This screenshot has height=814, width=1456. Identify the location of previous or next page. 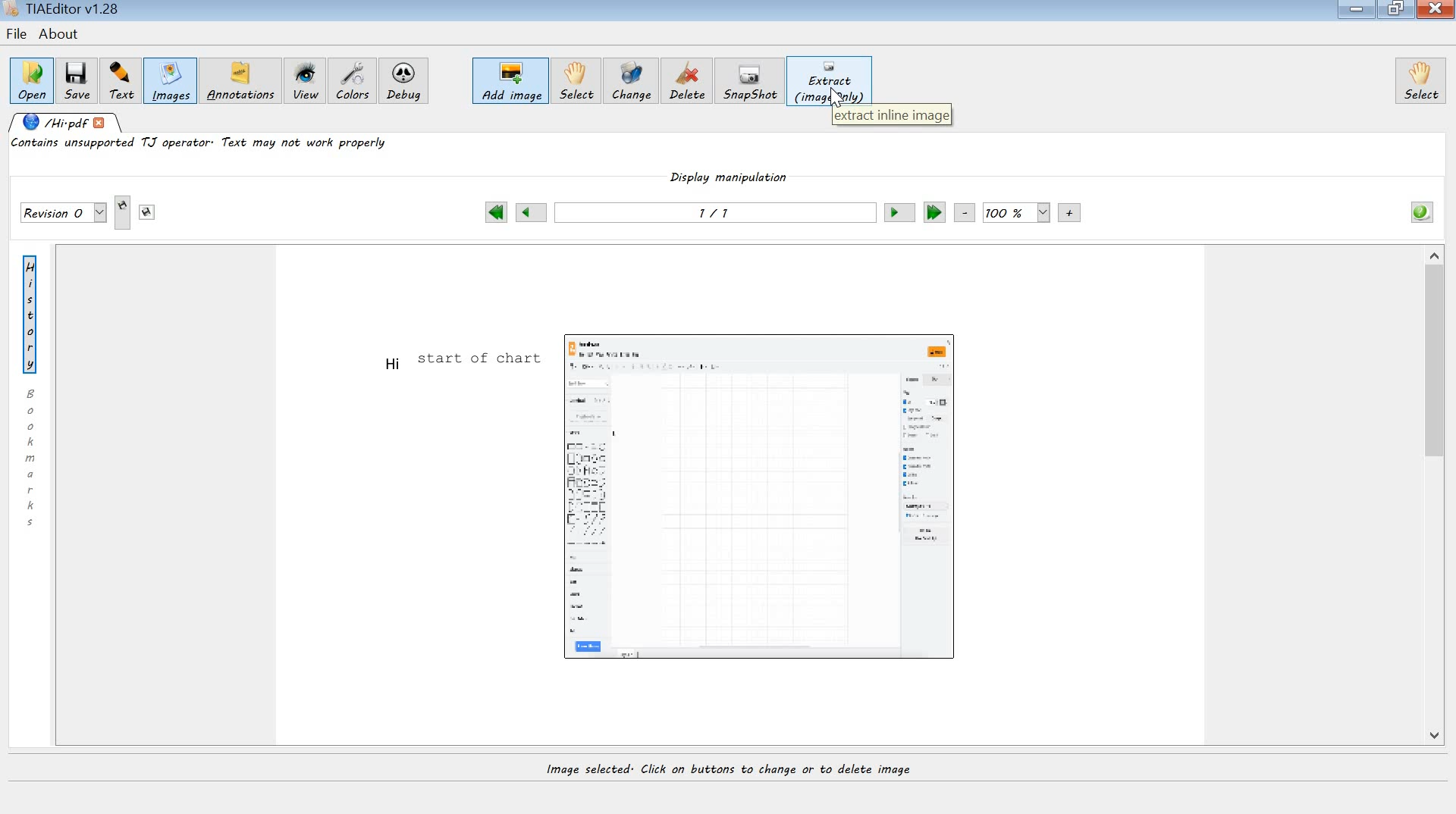
(714, 216).